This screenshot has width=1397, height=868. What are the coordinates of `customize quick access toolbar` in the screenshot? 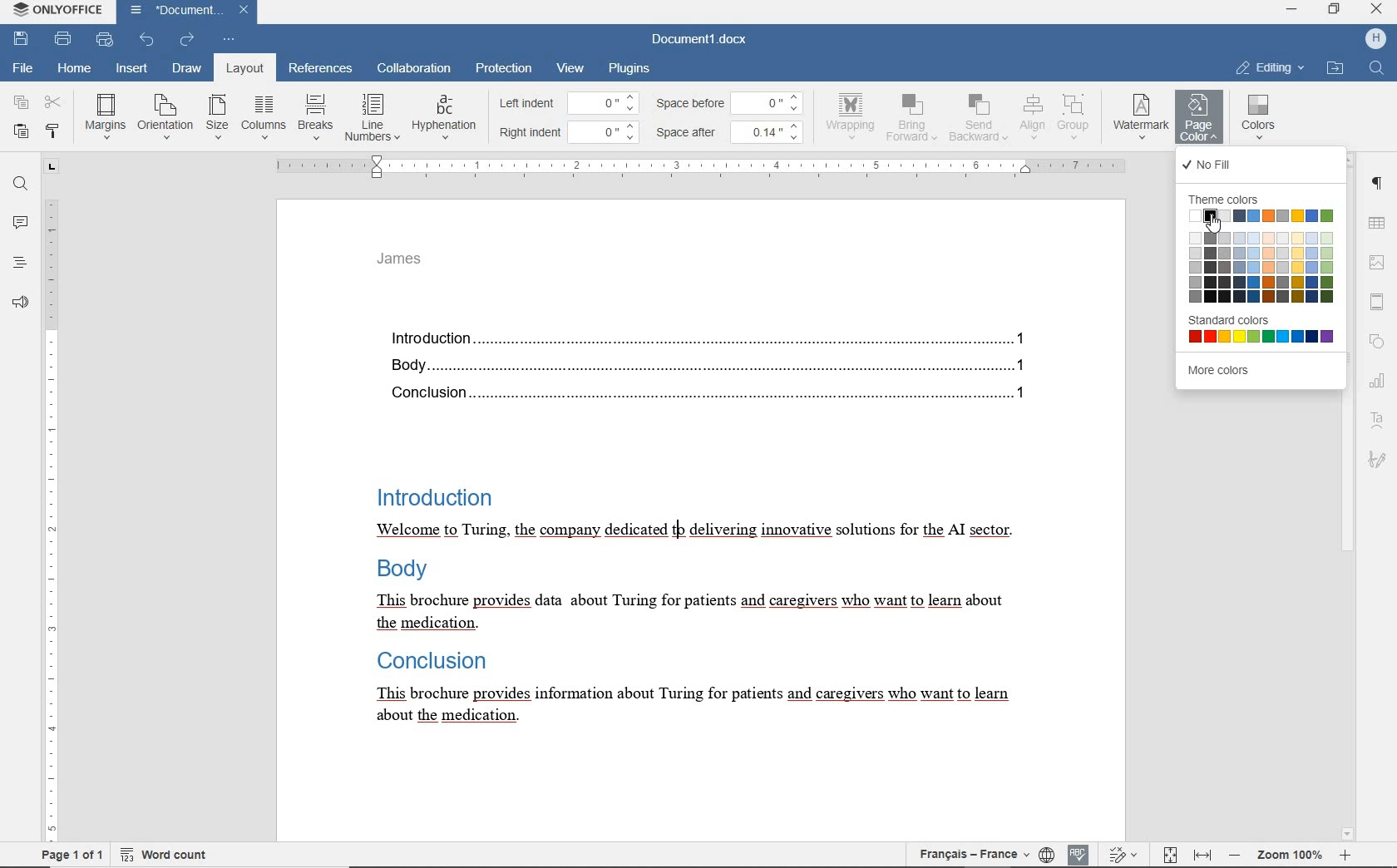 It's located at (229, 39).